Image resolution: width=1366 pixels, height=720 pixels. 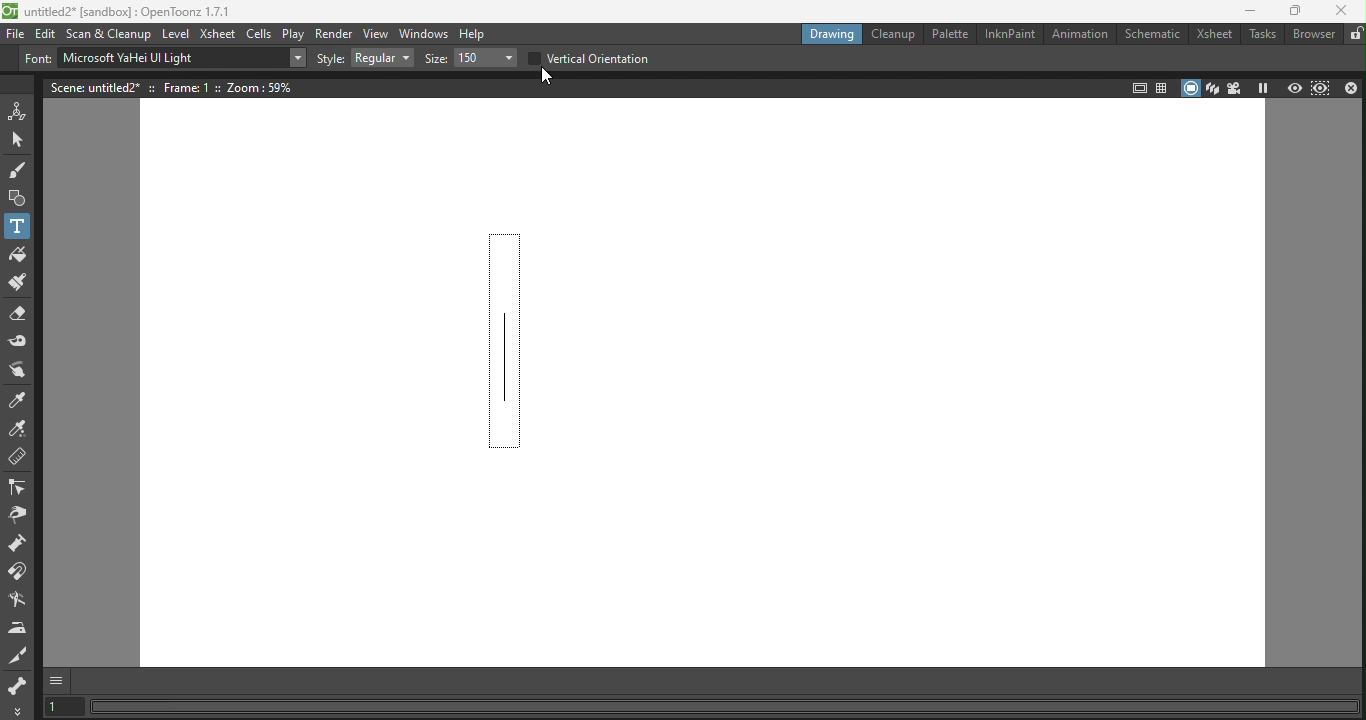 What do you see at coordinates (1233, 83) in the screenshot?
I see `Camera view` at bounding box center [1233, 83].